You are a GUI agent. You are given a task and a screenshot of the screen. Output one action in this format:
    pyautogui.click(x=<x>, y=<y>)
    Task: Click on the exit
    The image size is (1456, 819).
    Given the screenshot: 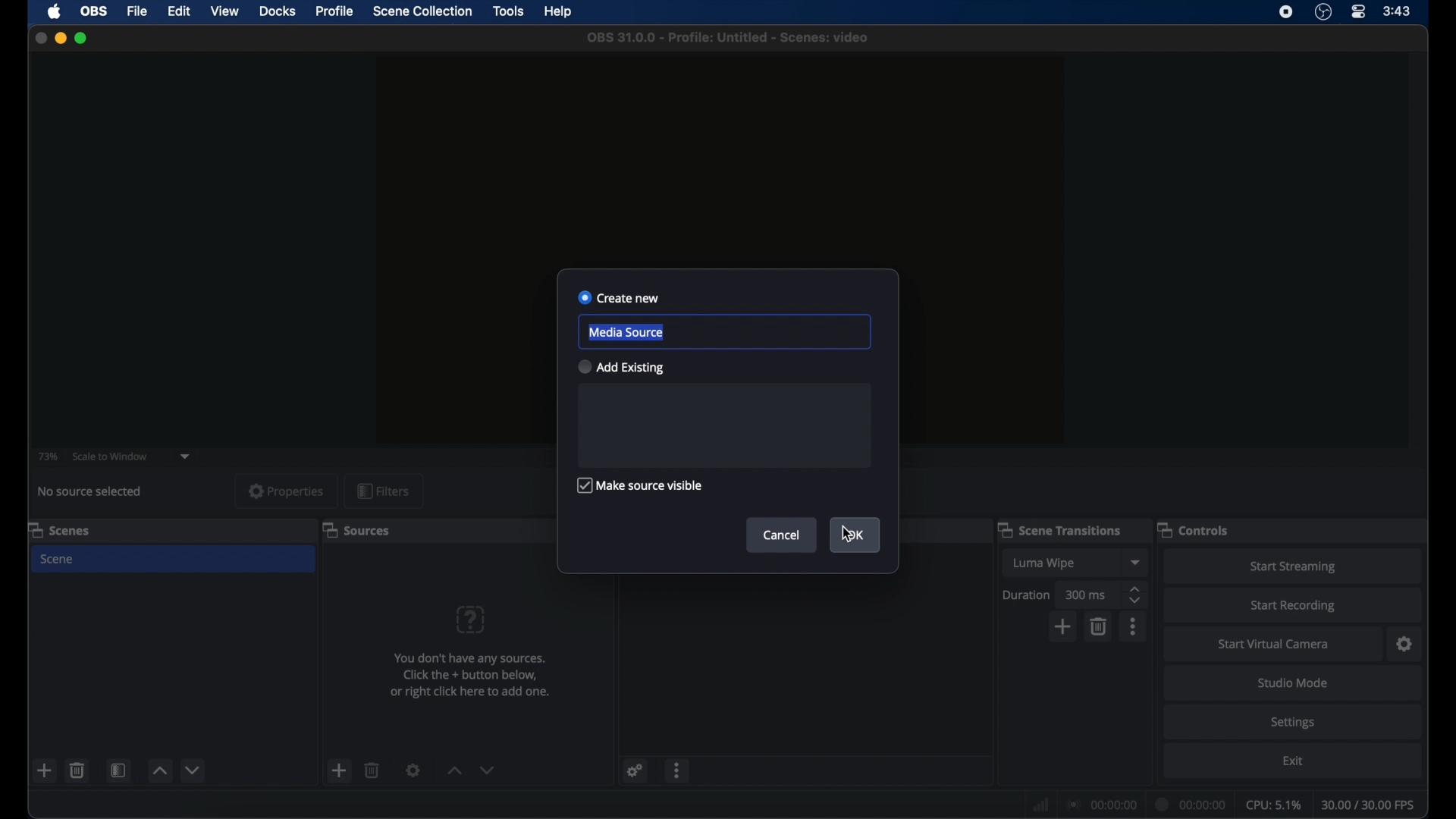 What is the action you would take?
    pyautogui.click(x=1295, y=761)
    